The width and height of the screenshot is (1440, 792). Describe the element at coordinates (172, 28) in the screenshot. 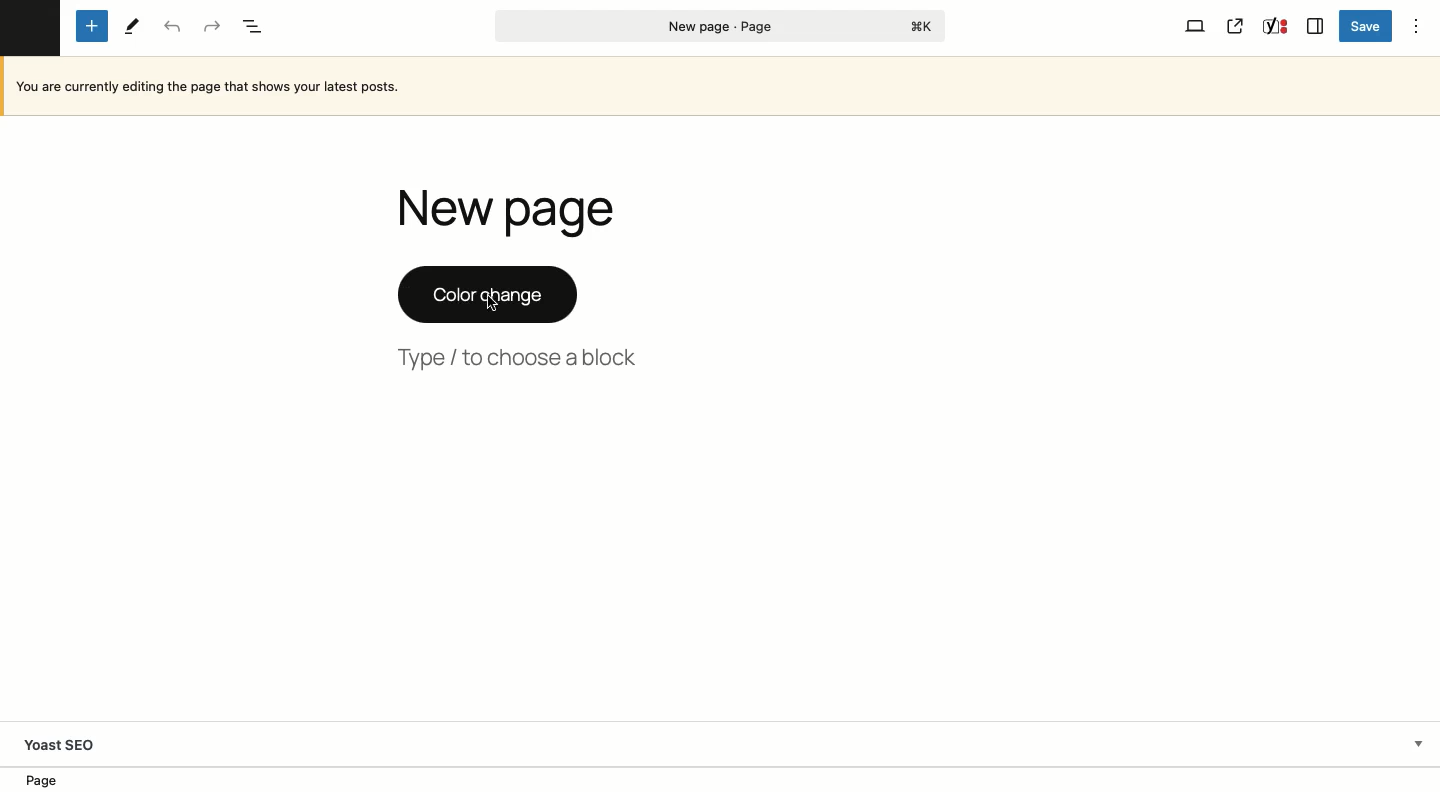

I see `Undo` at that location.